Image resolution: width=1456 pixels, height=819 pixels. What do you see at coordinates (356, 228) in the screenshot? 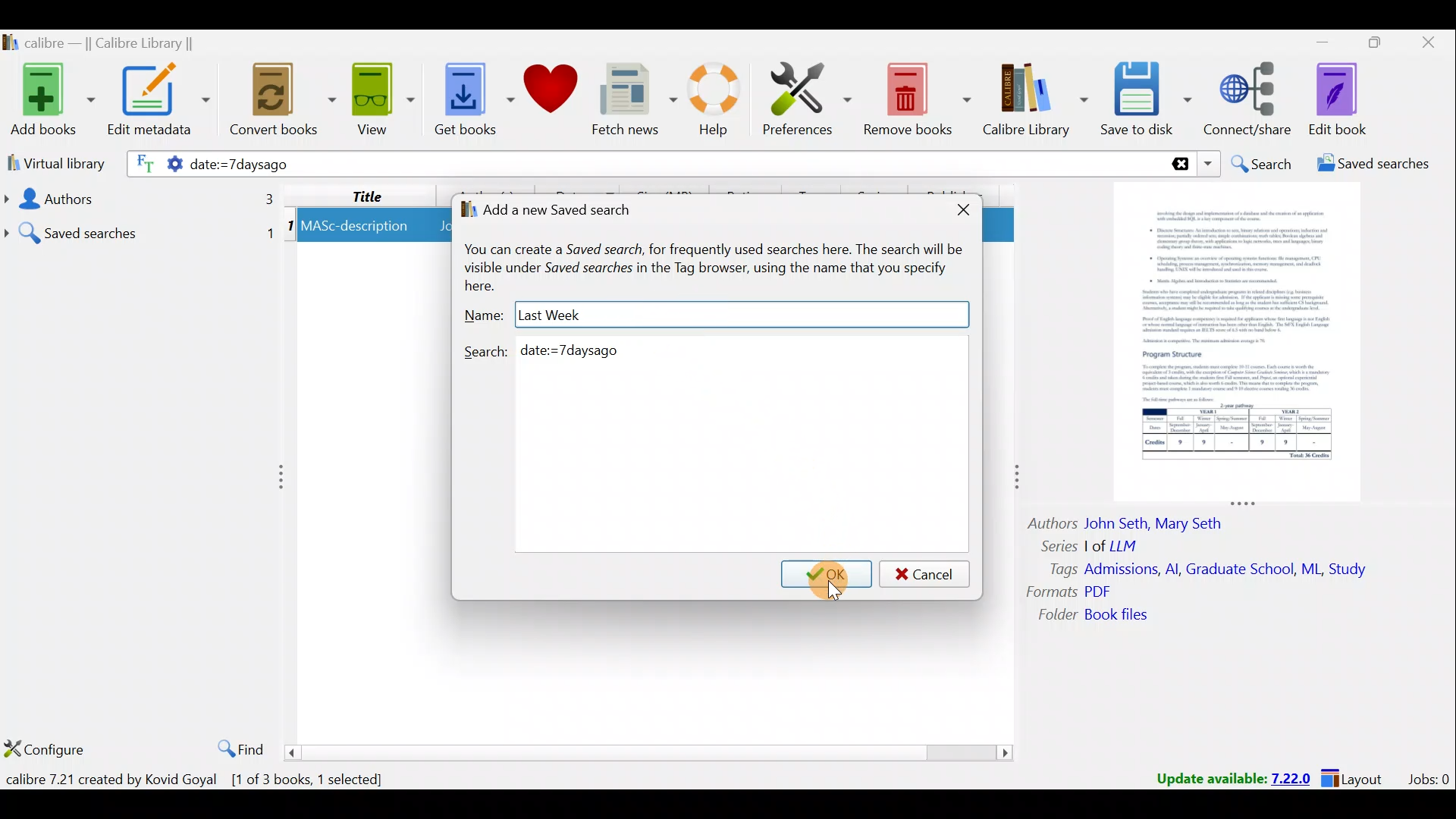
I see `MASc-description` at bounding box center [356, 228].